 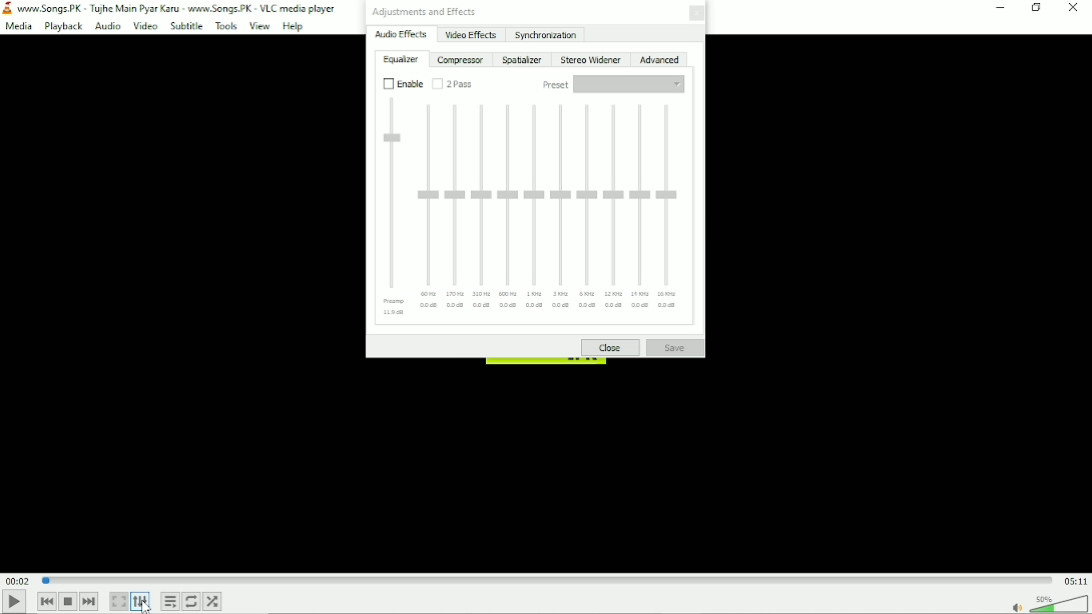 I want to click on Video, so click(x=145, y=26).